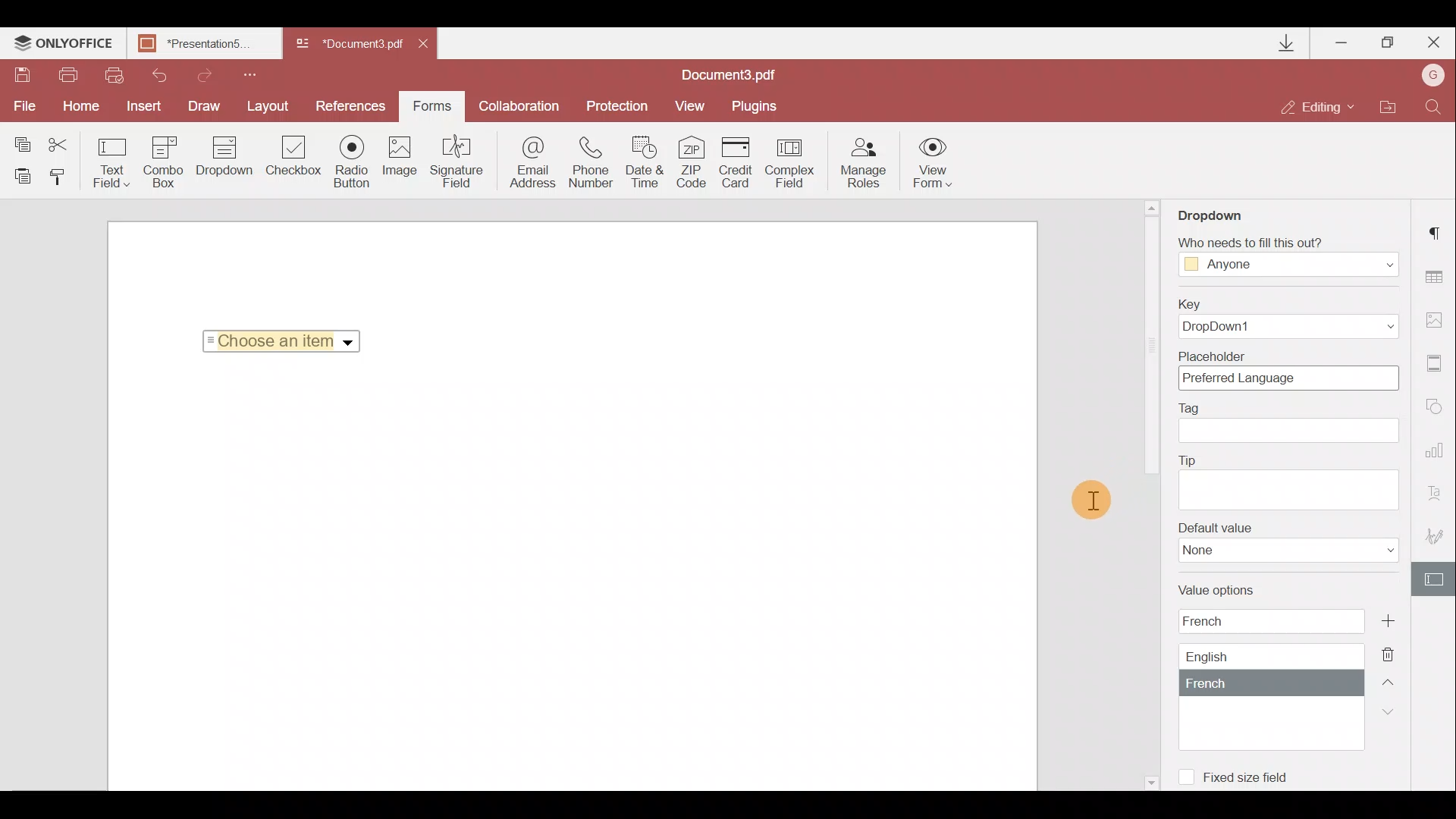 The width and height of the screenshot is (1456, 819). What do you see at coordinates (1224, 210) in the screenshot?
I see `Dropdown` at bounding box center [1224, 210].